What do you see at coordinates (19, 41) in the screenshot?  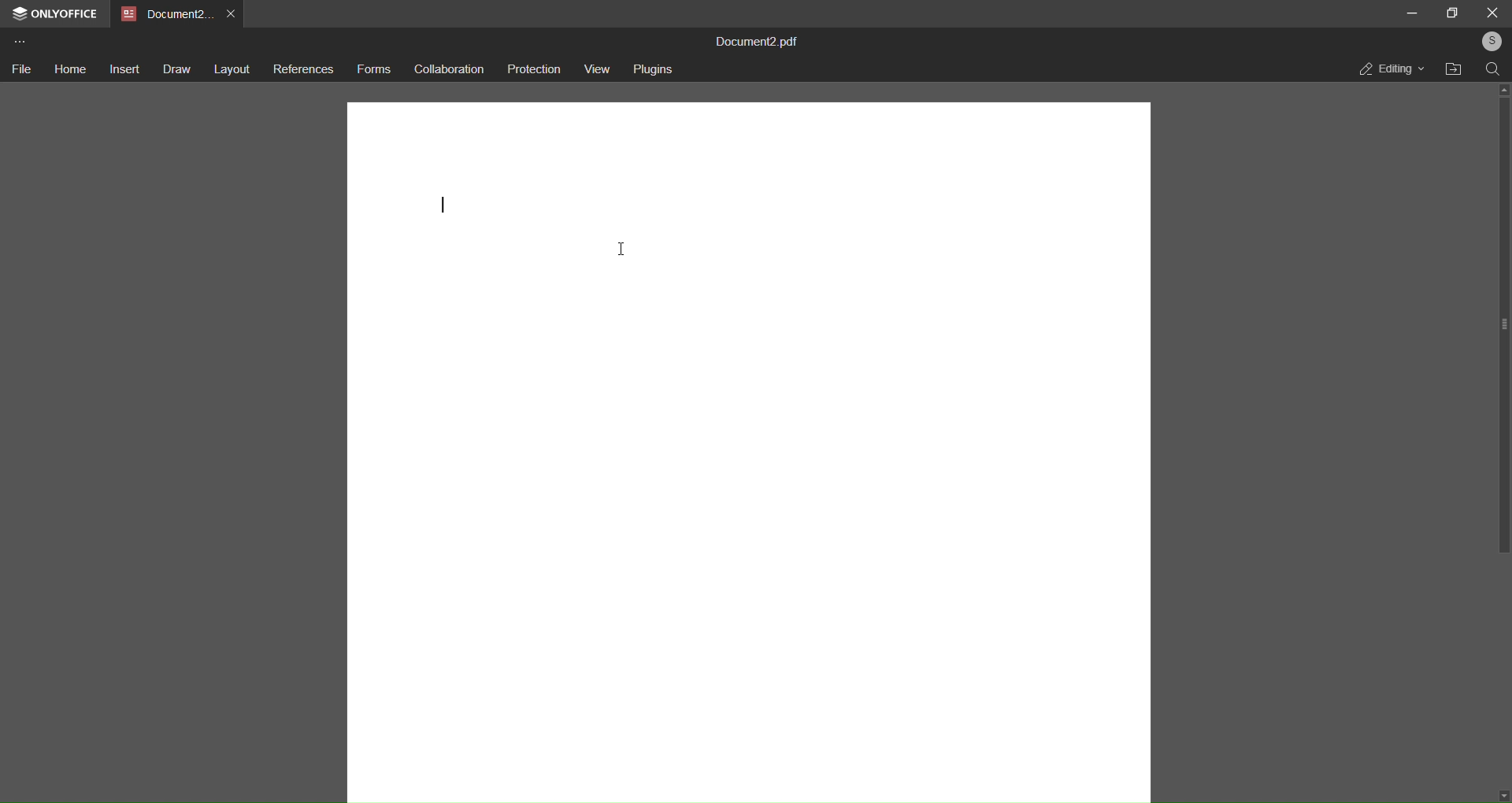 I see `more` at bounding box center [19, 41].